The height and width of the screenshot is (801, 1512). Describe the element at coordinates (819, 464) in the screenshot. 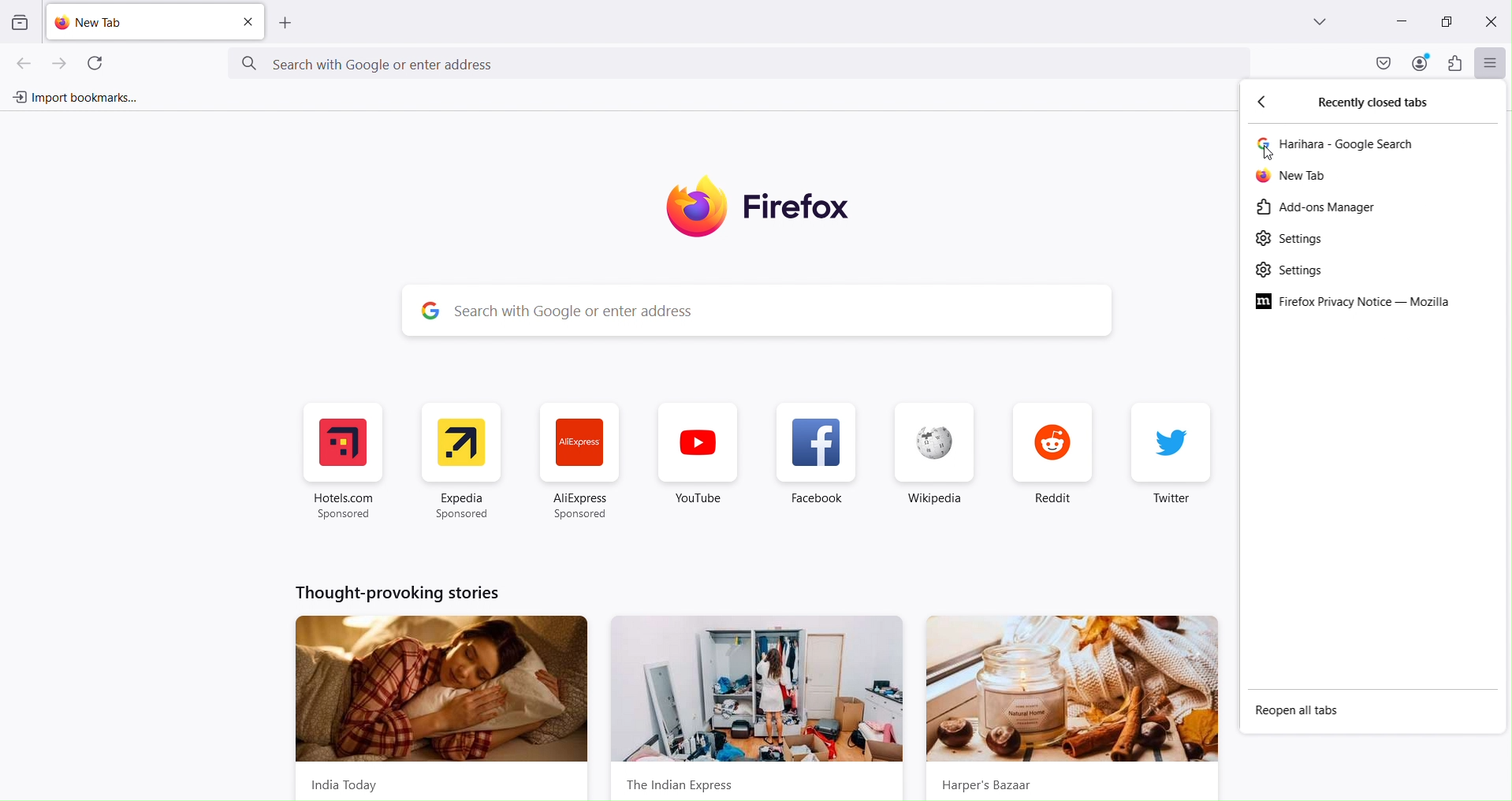

I see `Facebook Shortcut` at that location.